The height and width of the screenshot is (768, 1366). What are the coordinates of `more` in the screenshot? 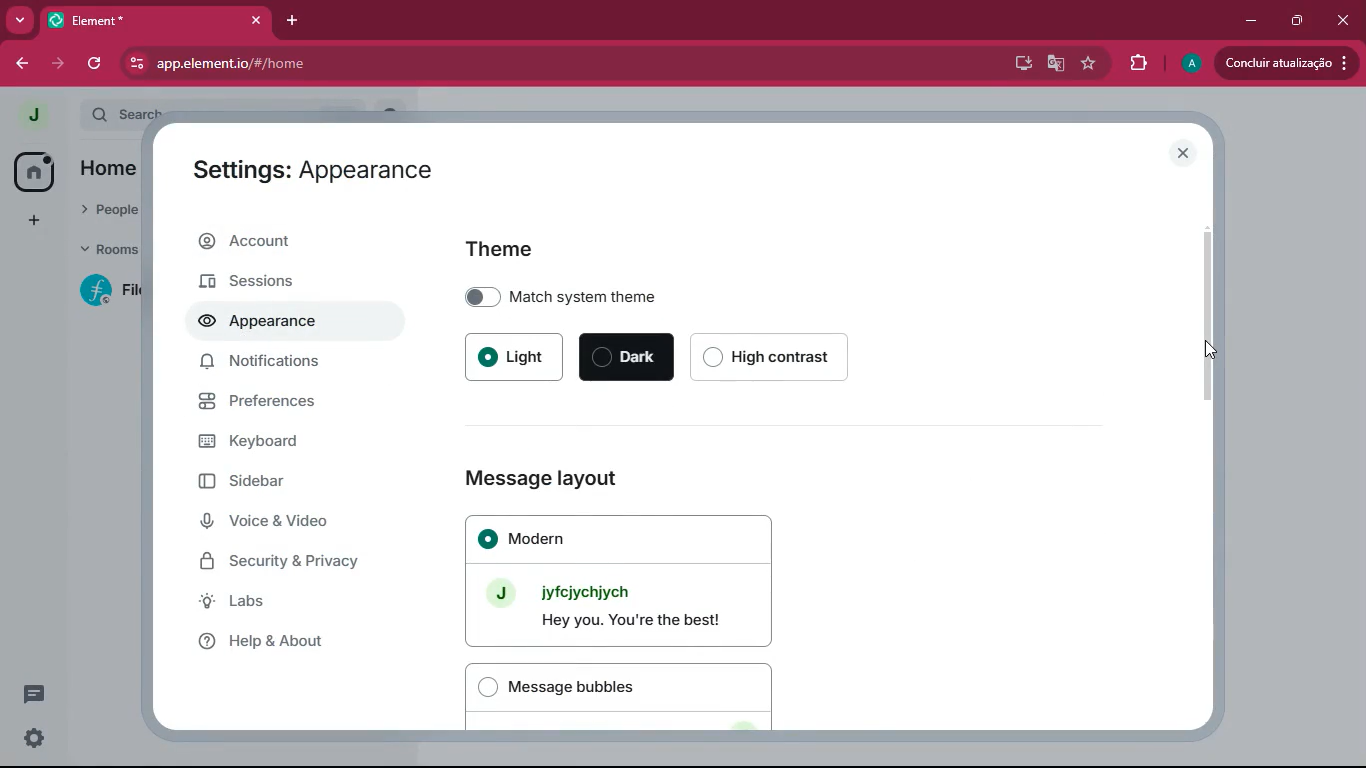 It's located at (20, 19).